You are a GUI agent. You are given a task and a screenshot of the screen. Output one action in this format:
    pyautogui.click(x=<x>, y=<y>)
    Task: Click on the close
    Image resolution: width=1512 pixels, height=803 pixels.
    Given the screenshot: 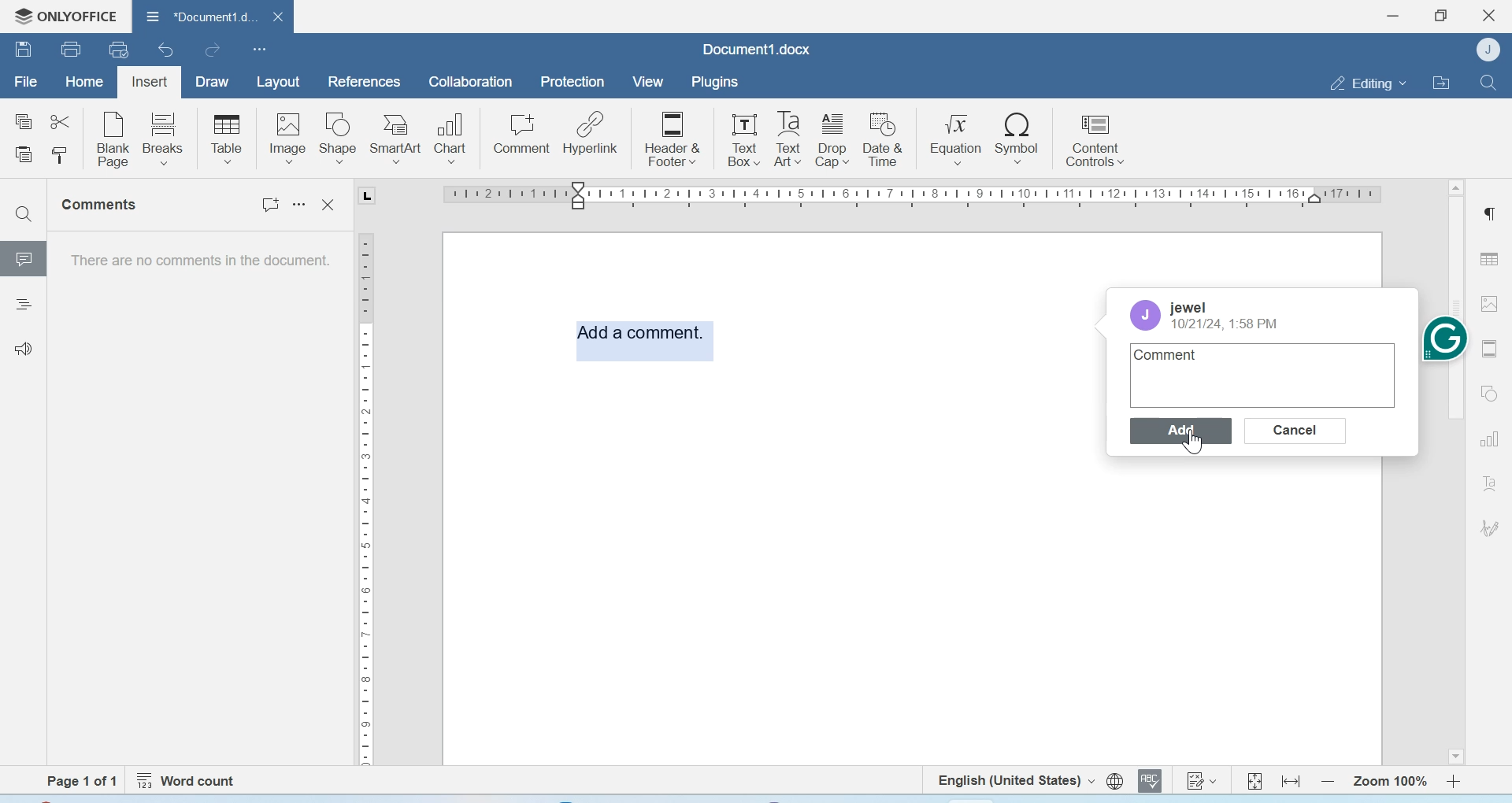 What is the action you would take?
    pyautogui.click(x=275, y=16)
    